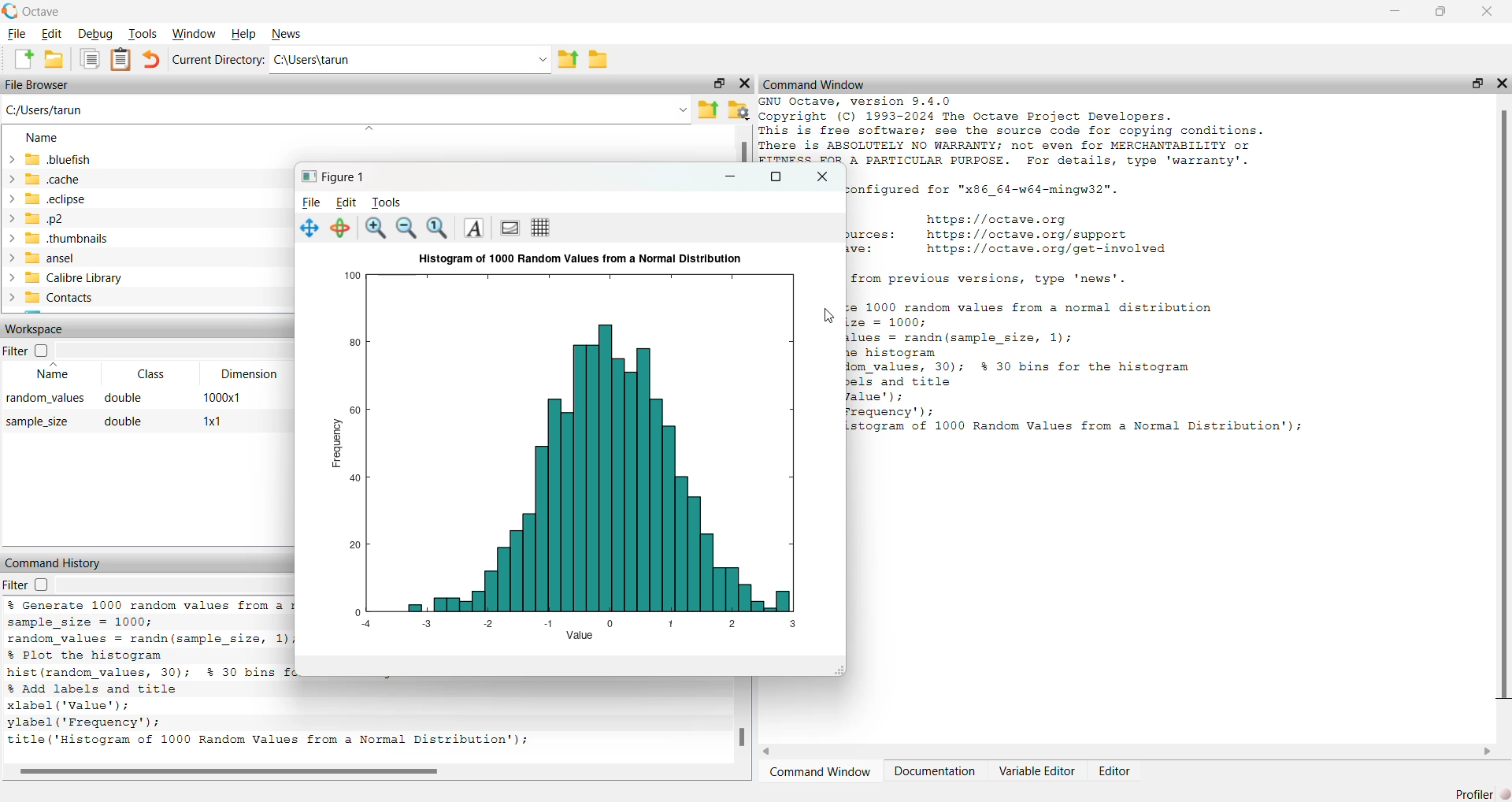 This screenshot has width=1512, height=802. What do you see at coordinates (814, 85) in the screenshot?
I see `Command Window` at bounding box center [814, 85].